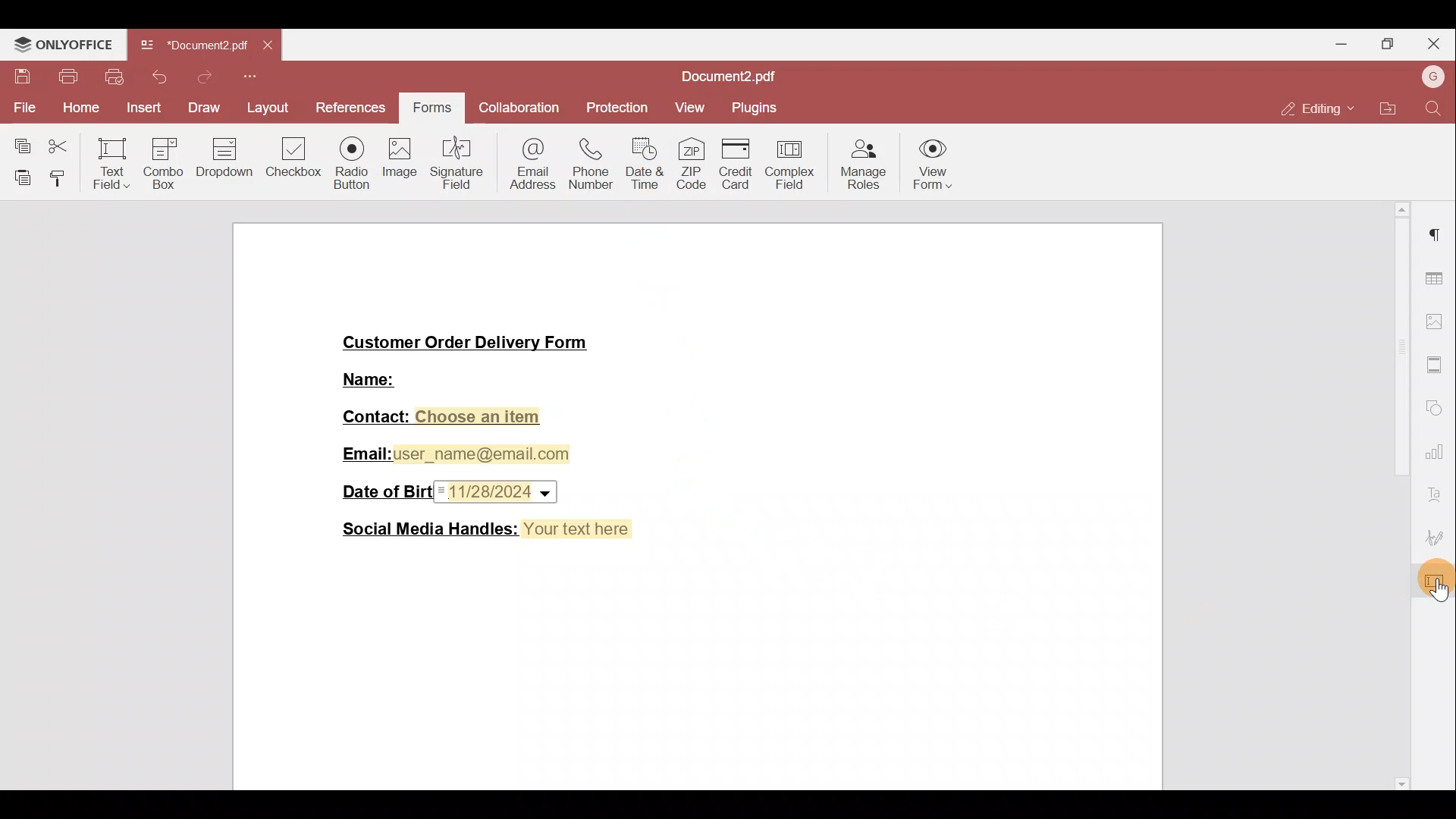  Describe the element at coordinates (1313, 108) in the screenshot. I see `Editing mode` at that location.